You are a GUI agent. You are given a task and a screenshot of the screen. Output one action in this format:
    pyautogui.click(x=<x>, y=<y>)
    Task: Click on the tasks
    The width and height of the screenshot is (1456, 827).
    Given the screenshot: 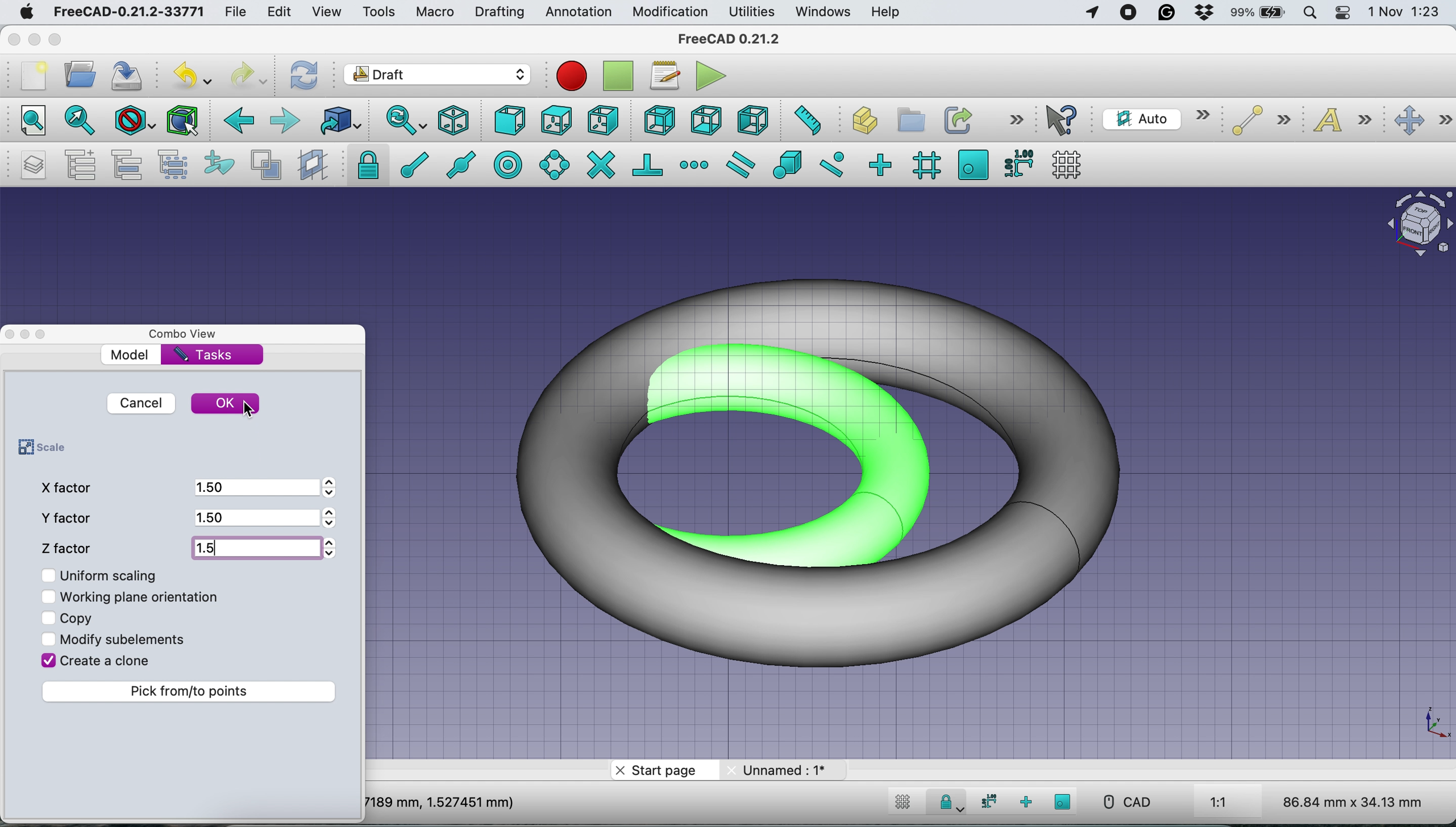 What is the action you would take?
    pyautogui.click(x=206, y=356)
    